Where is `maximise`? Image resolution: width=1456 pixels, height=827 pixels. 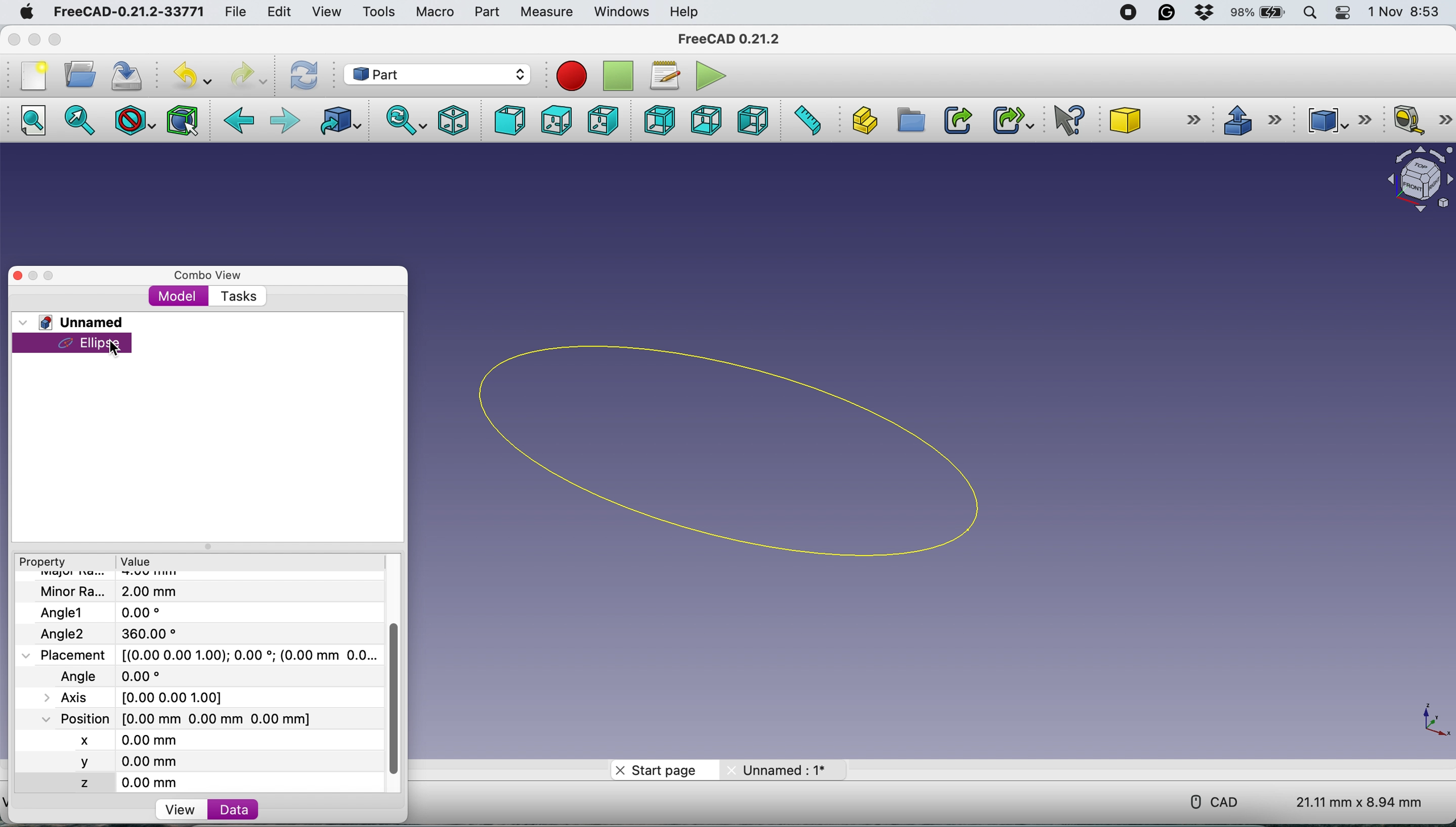 maximise is located at coordinates (53, 278).